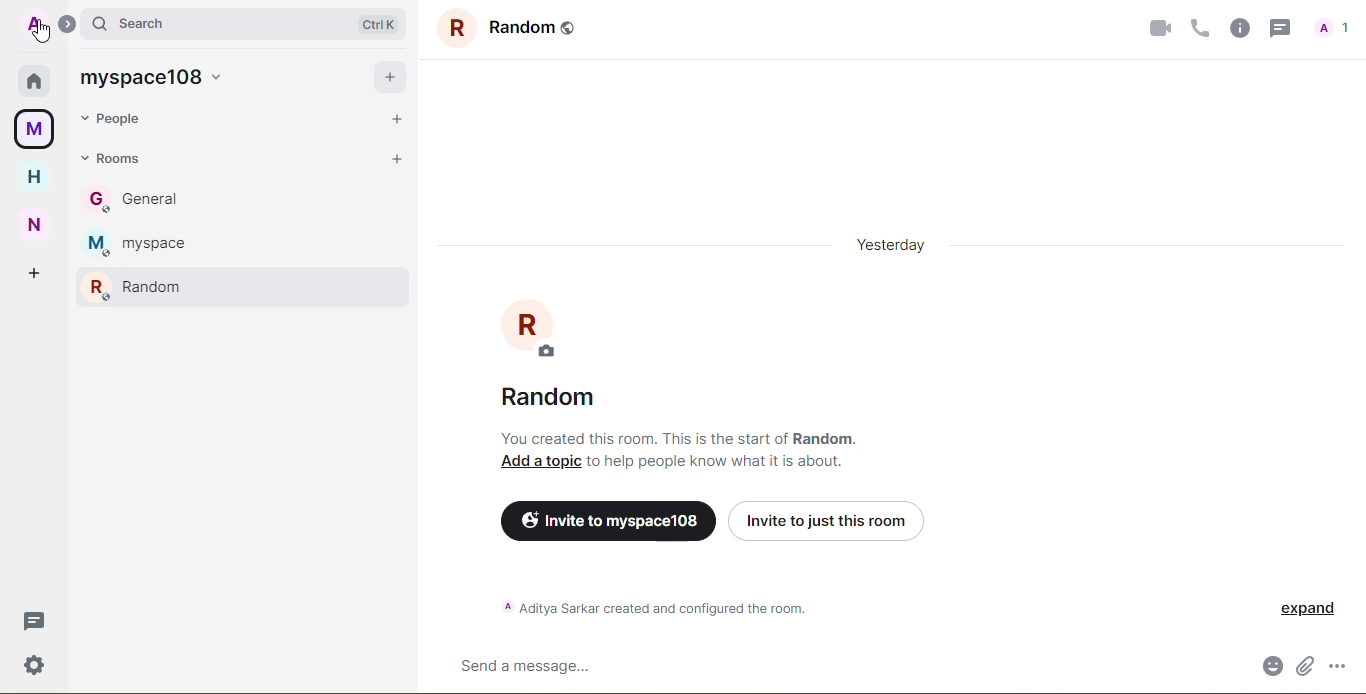 Image resolution: width=1366 pixels, height=694 pixels. What do you see at coordinates (1238, 27) in the screenshot?
I see `info` at bounding box center [1238, 27].